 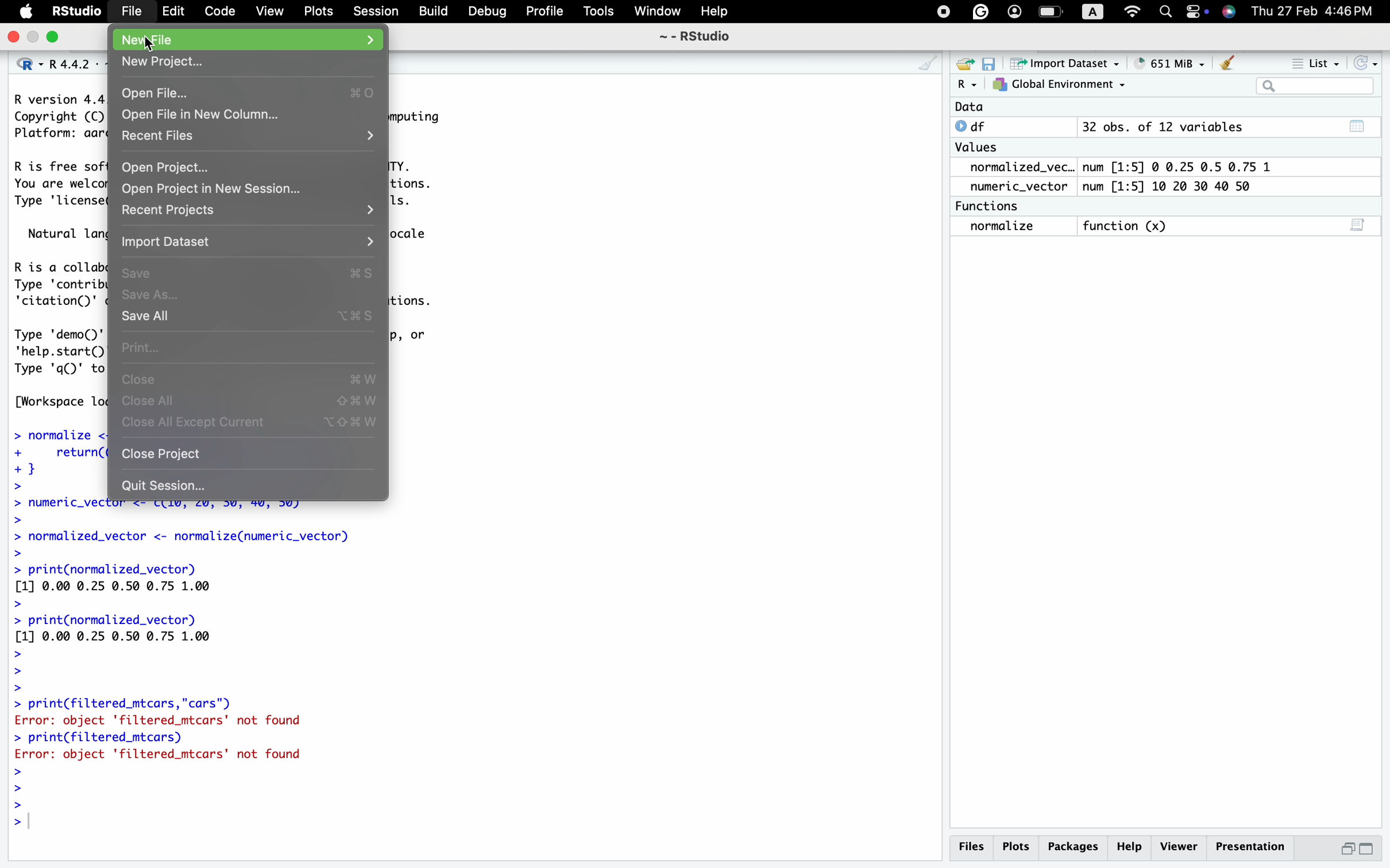 What do you see at coordinates (231, 188) in the screenshot?
I see `9 Open Project in New Session...` at bounding box center [231, 188].